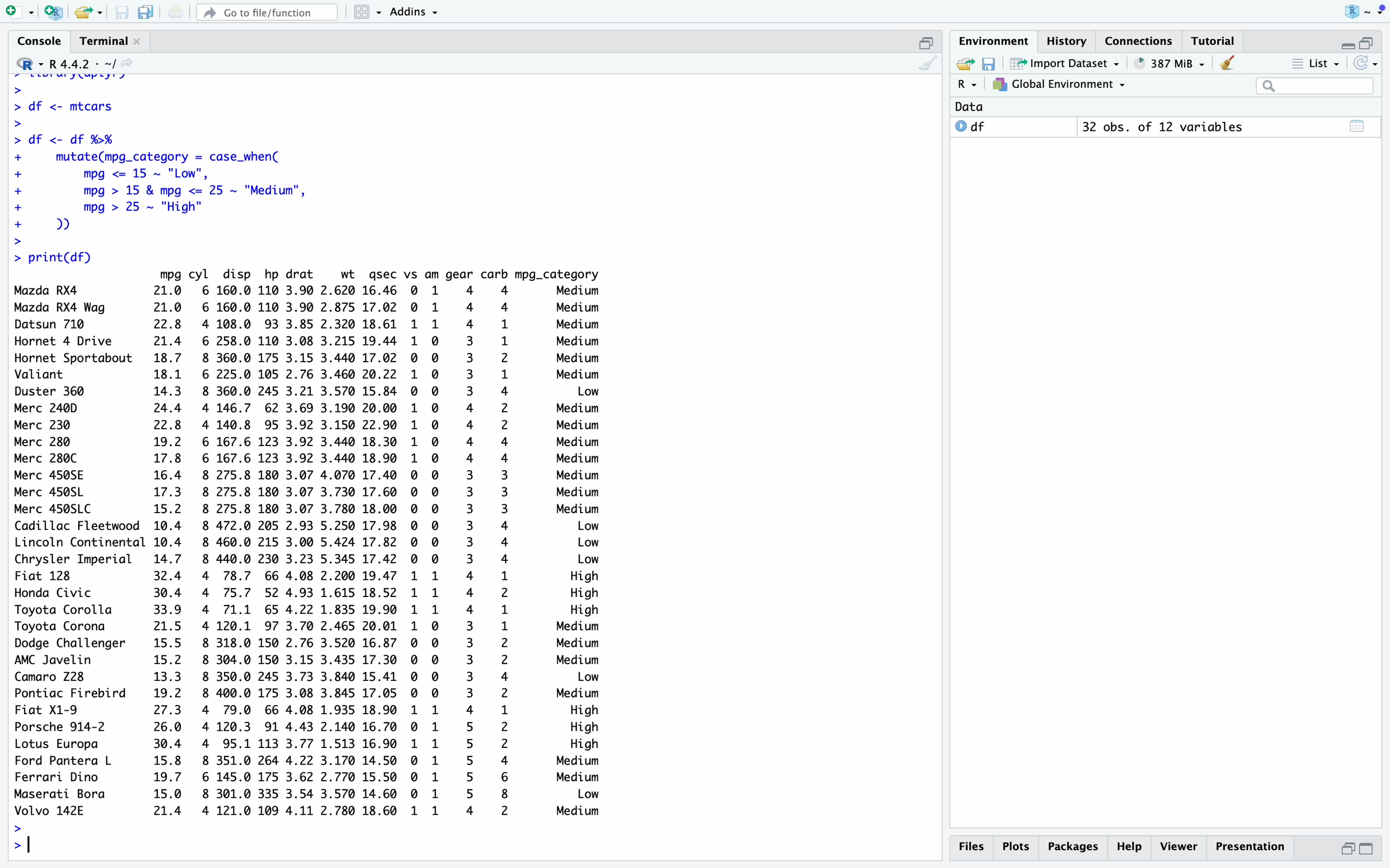 This screenshot has width=1390, height=868. I want to click on switch to full view, so click(1367, 850).